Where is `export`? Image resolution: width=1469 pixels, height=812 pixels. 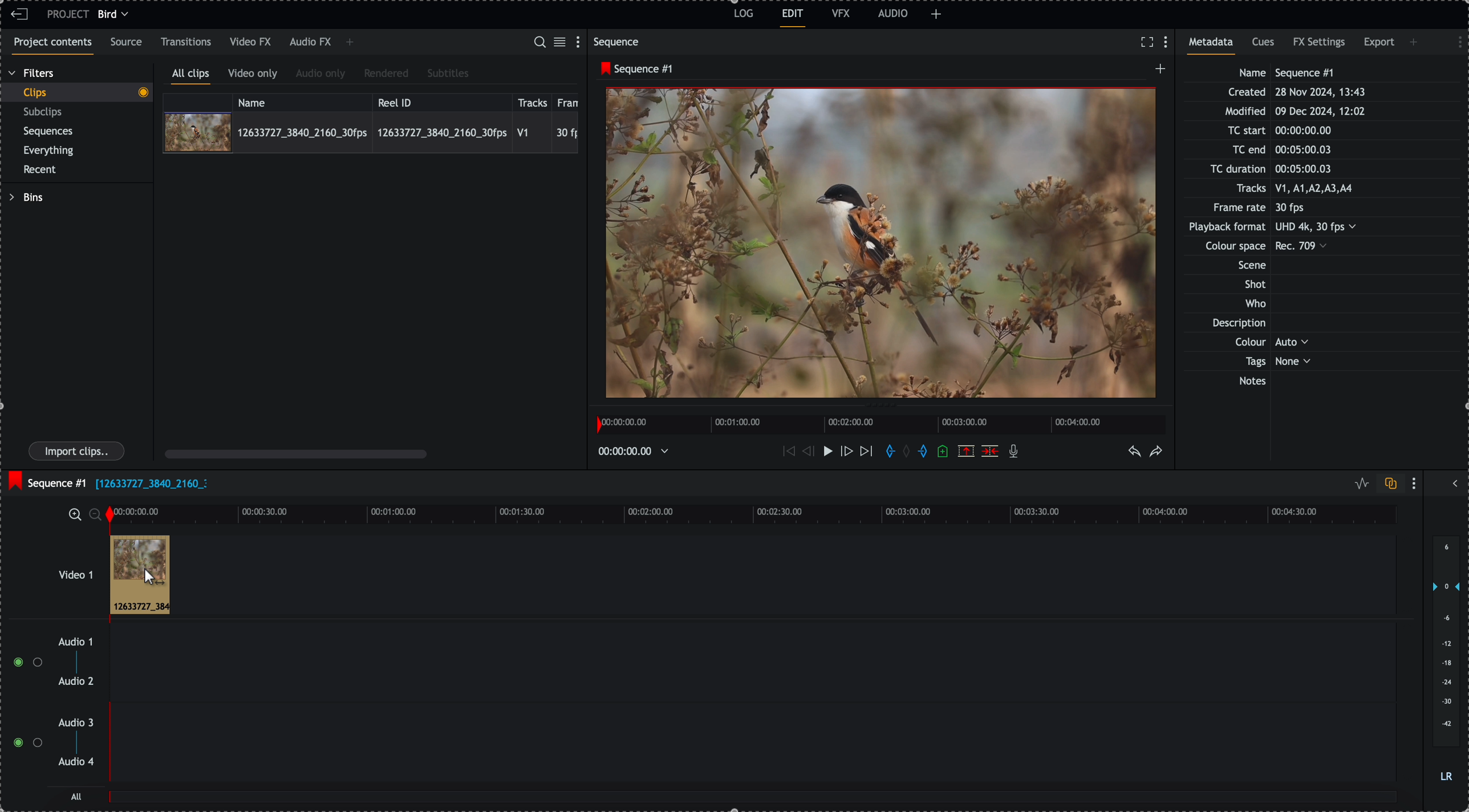
export is located at coordinates (1379, 44).